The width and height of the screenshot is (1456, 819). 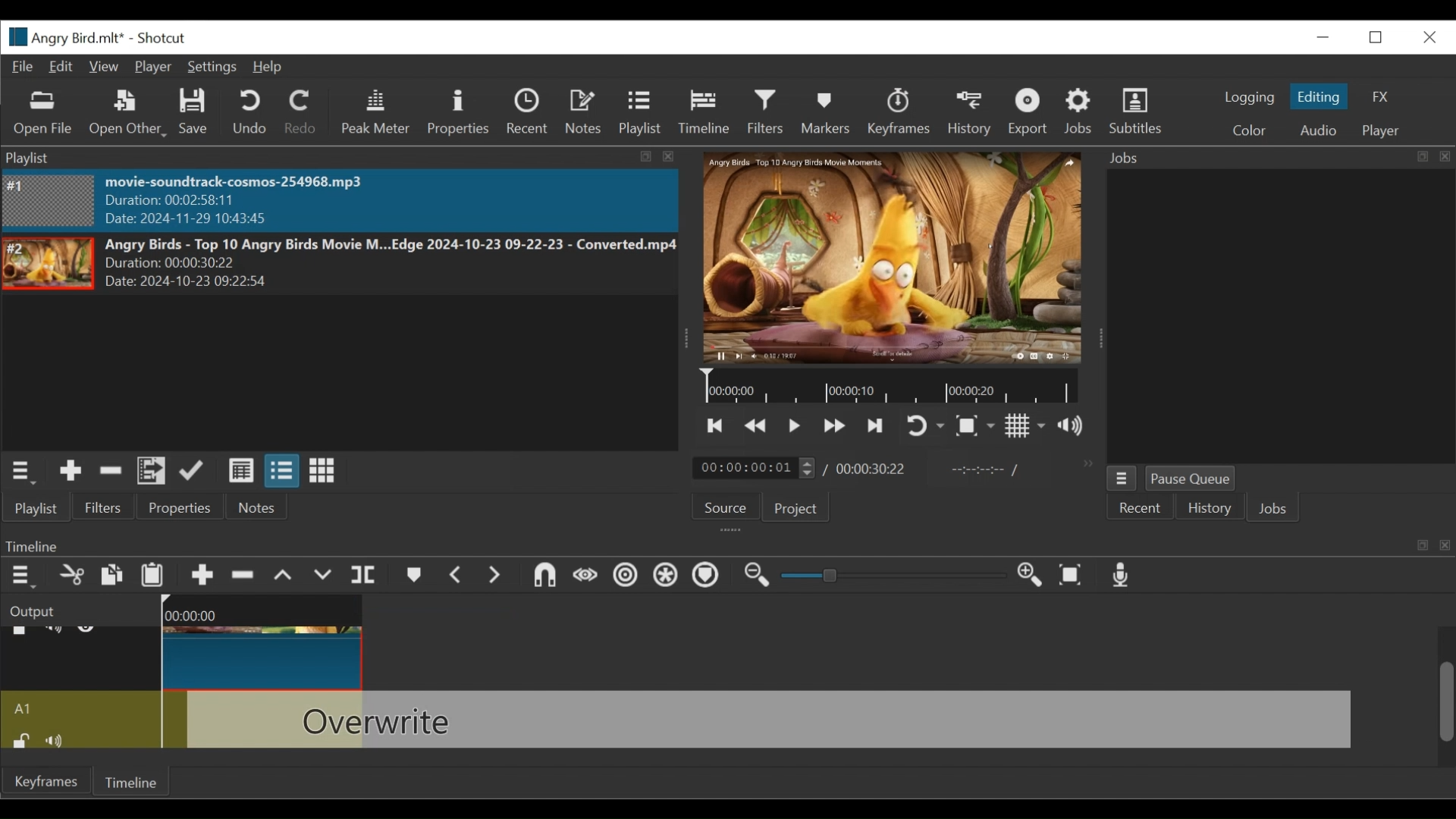 I want to click on minimize, so click(x=1323, y=35).